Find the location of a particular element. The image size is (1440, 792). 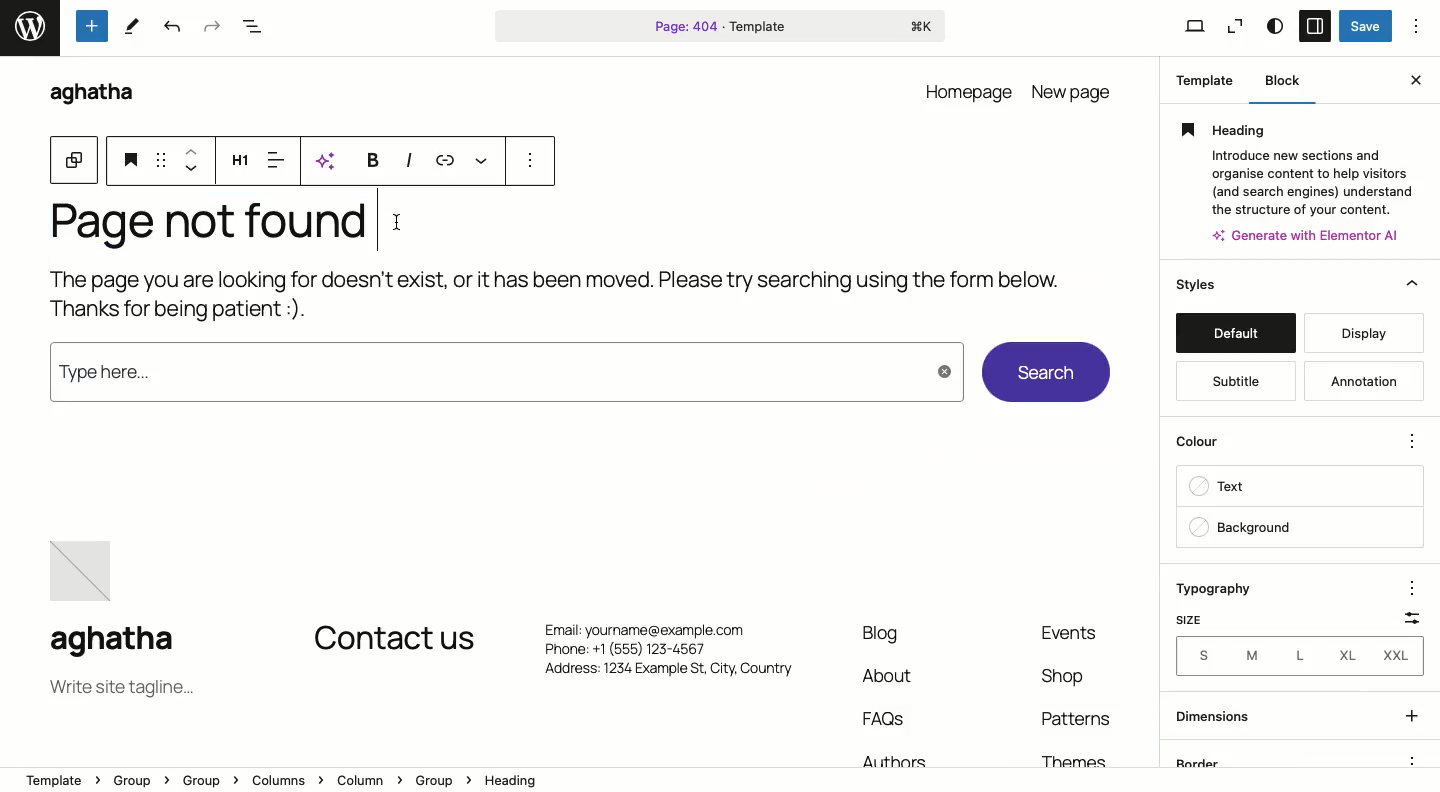

Align is located at coordinates (275, 159).